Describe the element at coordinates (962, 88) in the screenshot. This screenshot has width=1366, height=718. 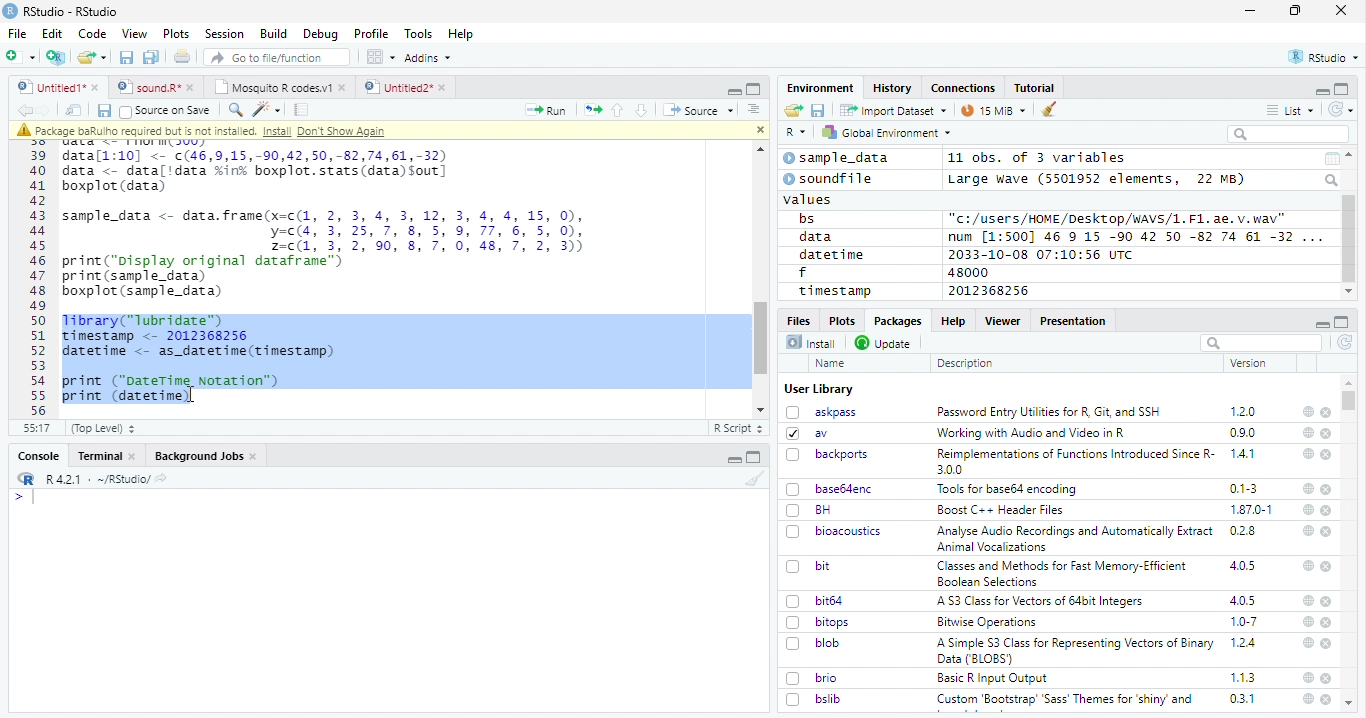
I see `Connections` at that location.